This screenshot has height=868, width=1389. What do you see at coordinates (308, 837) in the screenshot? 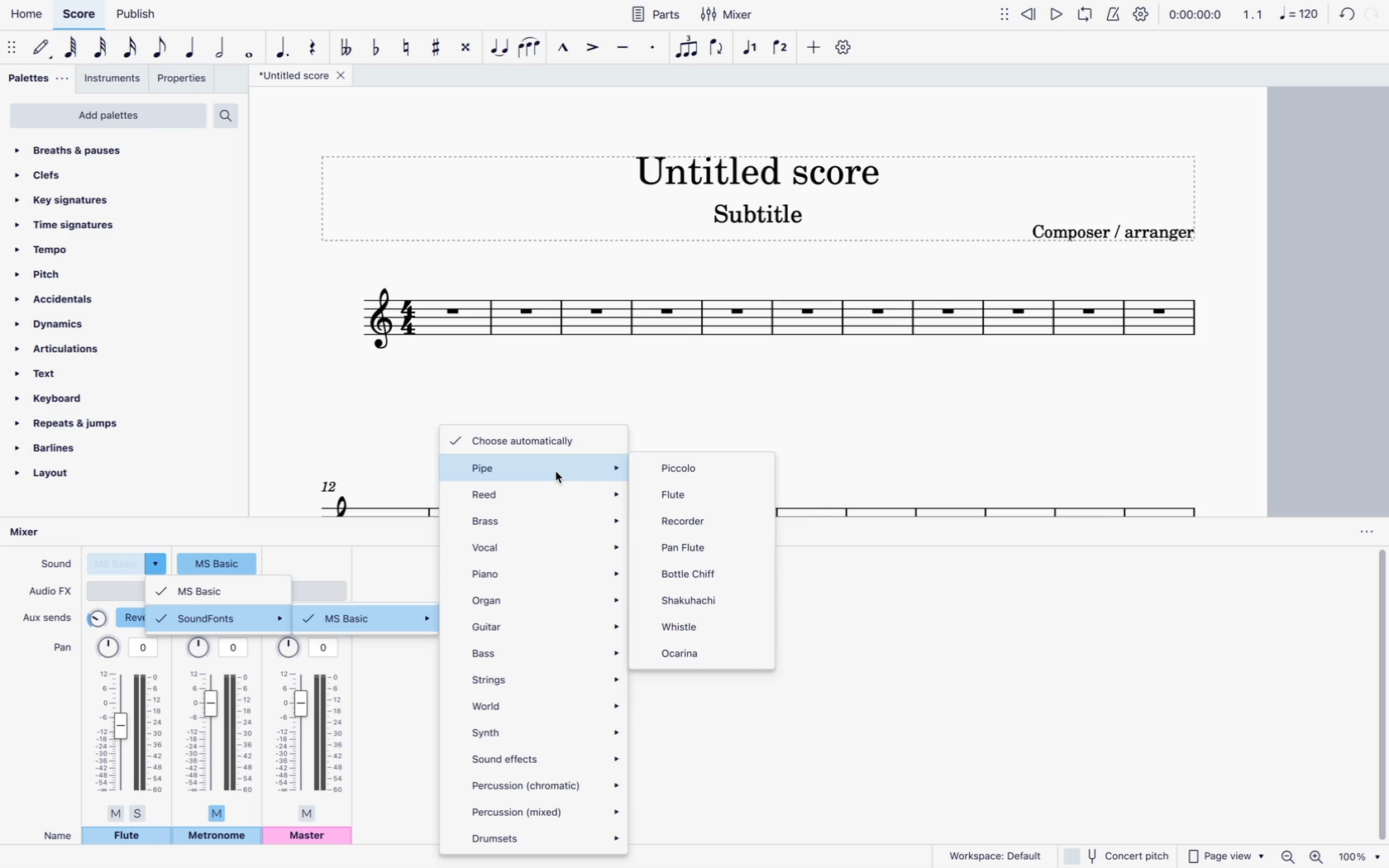
I see `master` at bounding box center [308, 837].